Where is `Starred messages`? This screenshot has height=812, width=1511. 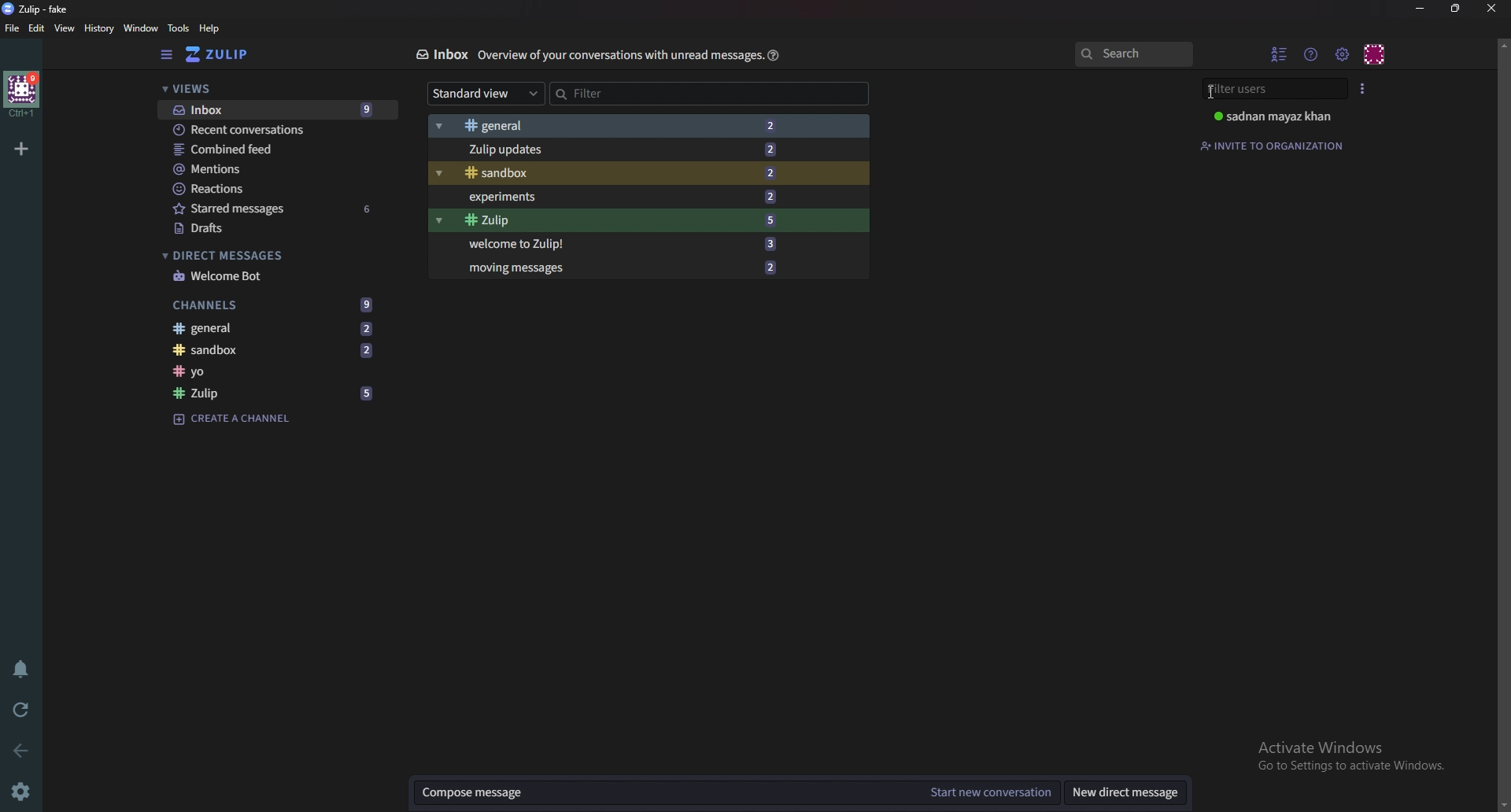
Starred messages is located at coordinates (277, 209).